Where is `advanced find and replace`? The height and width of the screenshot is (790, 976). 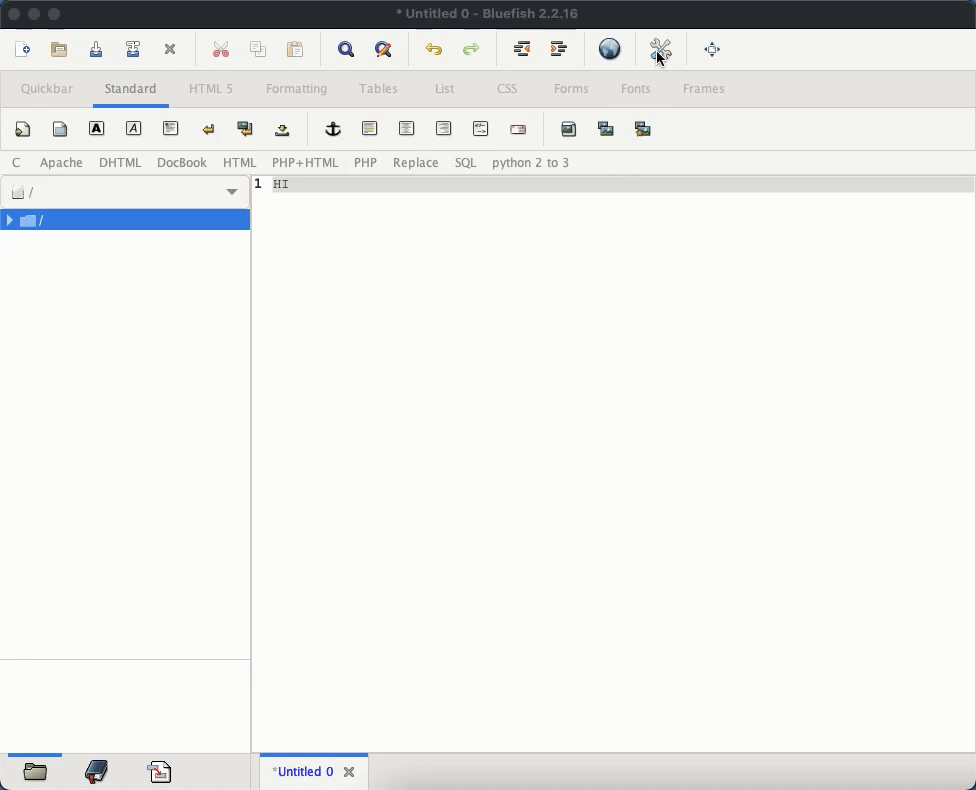
advanced find and replace is located at coordinates (383, 51).